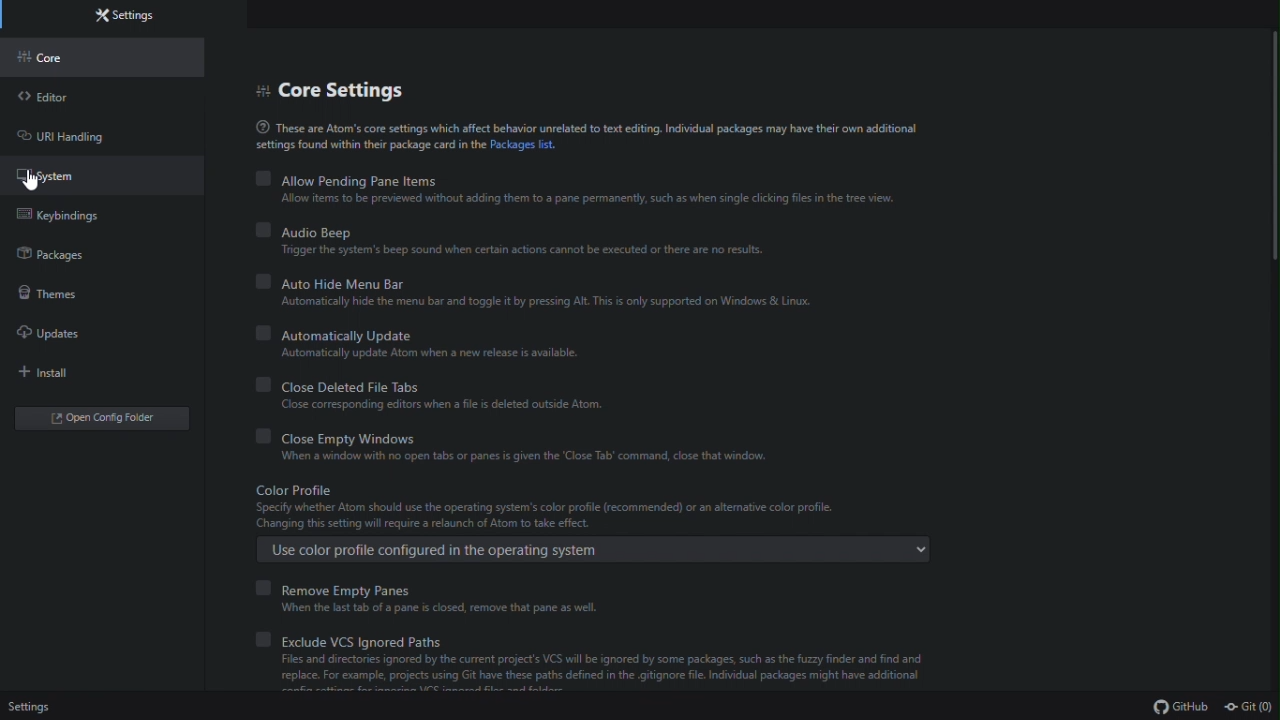 The width and height of the screenshot is (1280, 720). What do you see at coordinates (71, 60) in the screenshot?
I see `Core` at bounding box center [71, 60].